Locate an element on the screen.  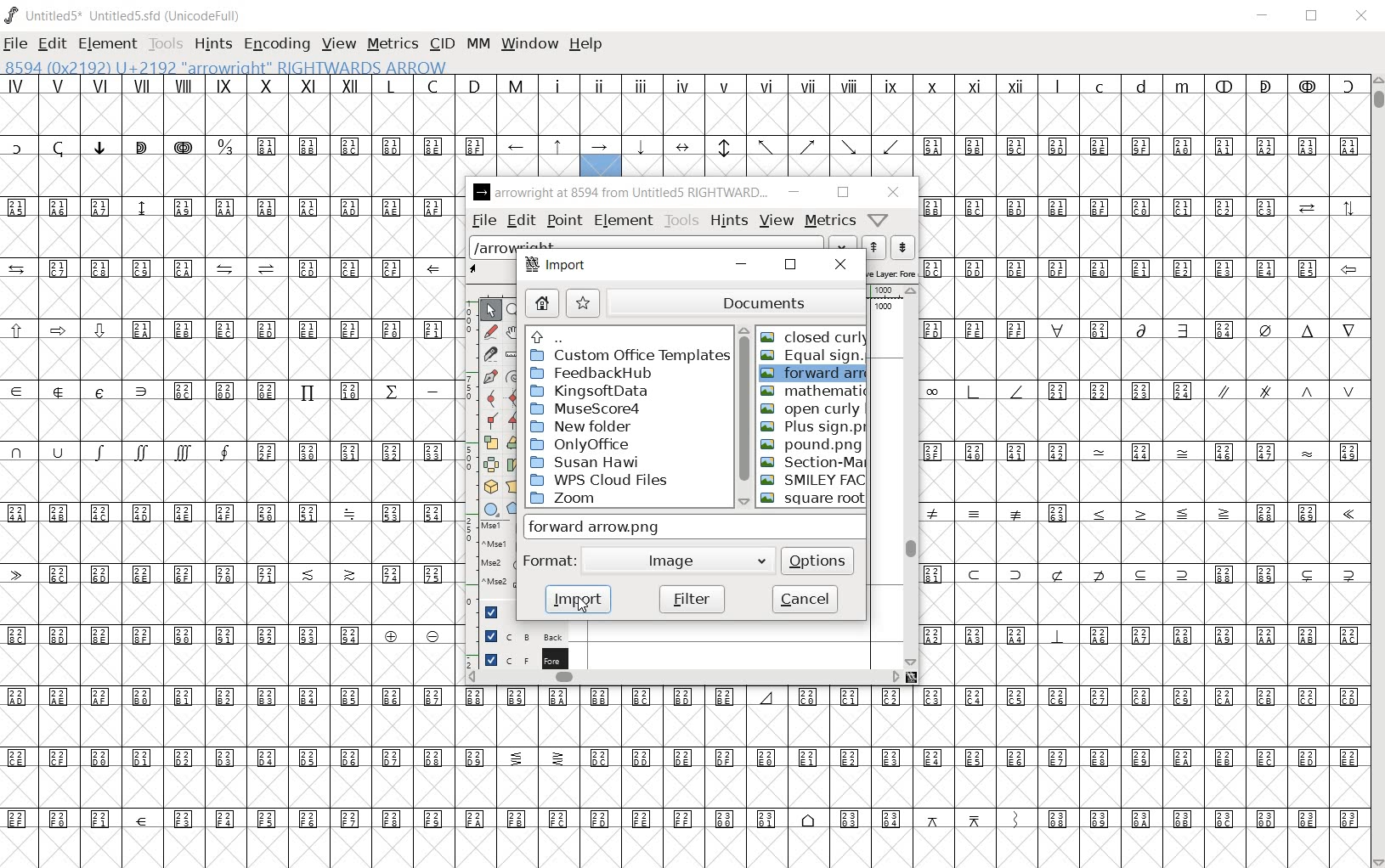
METRICS is located at coordinates (392, 43).